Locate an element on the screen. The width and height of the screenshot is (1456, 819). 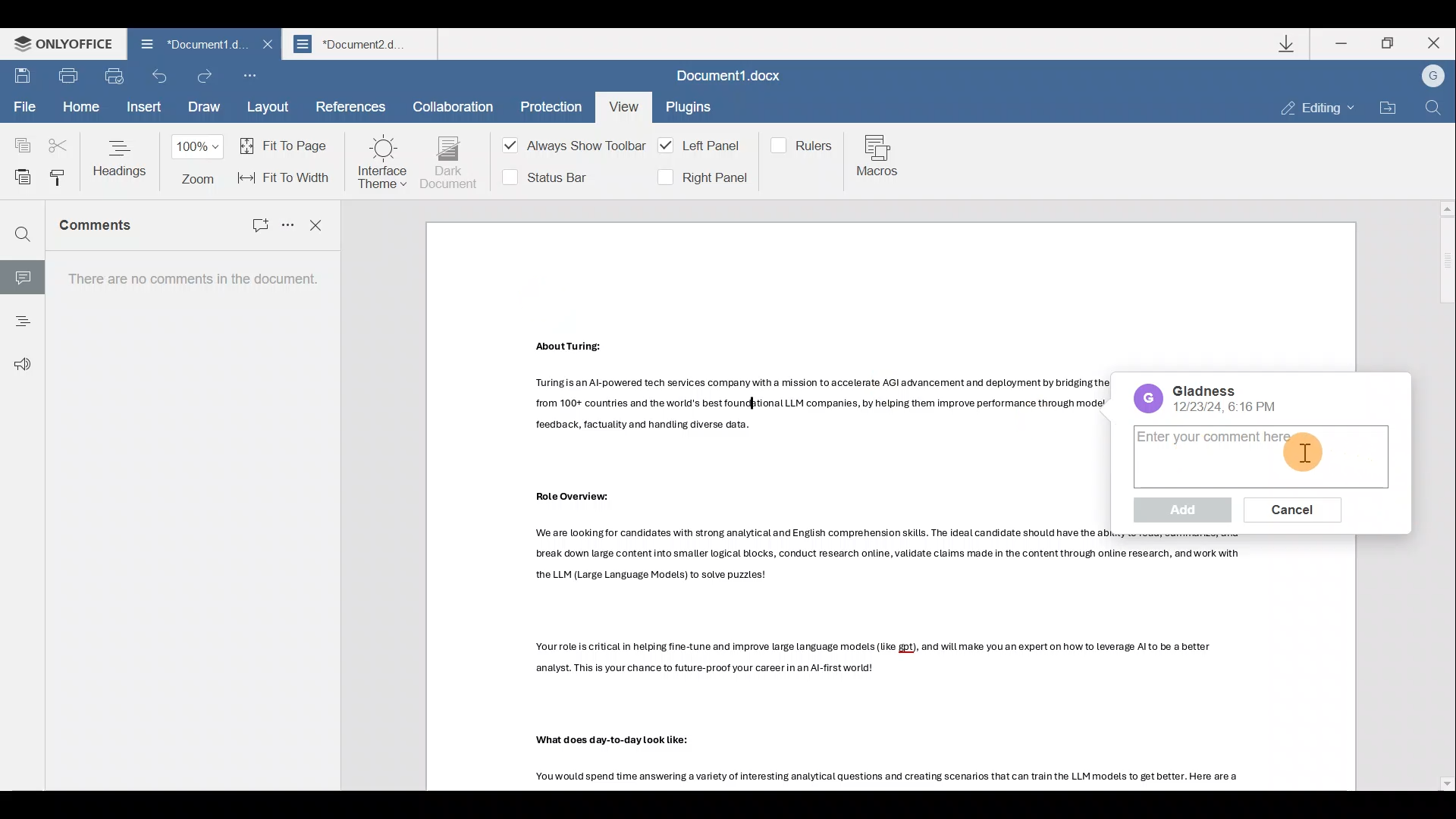
File is located at coordinates (24, 108).